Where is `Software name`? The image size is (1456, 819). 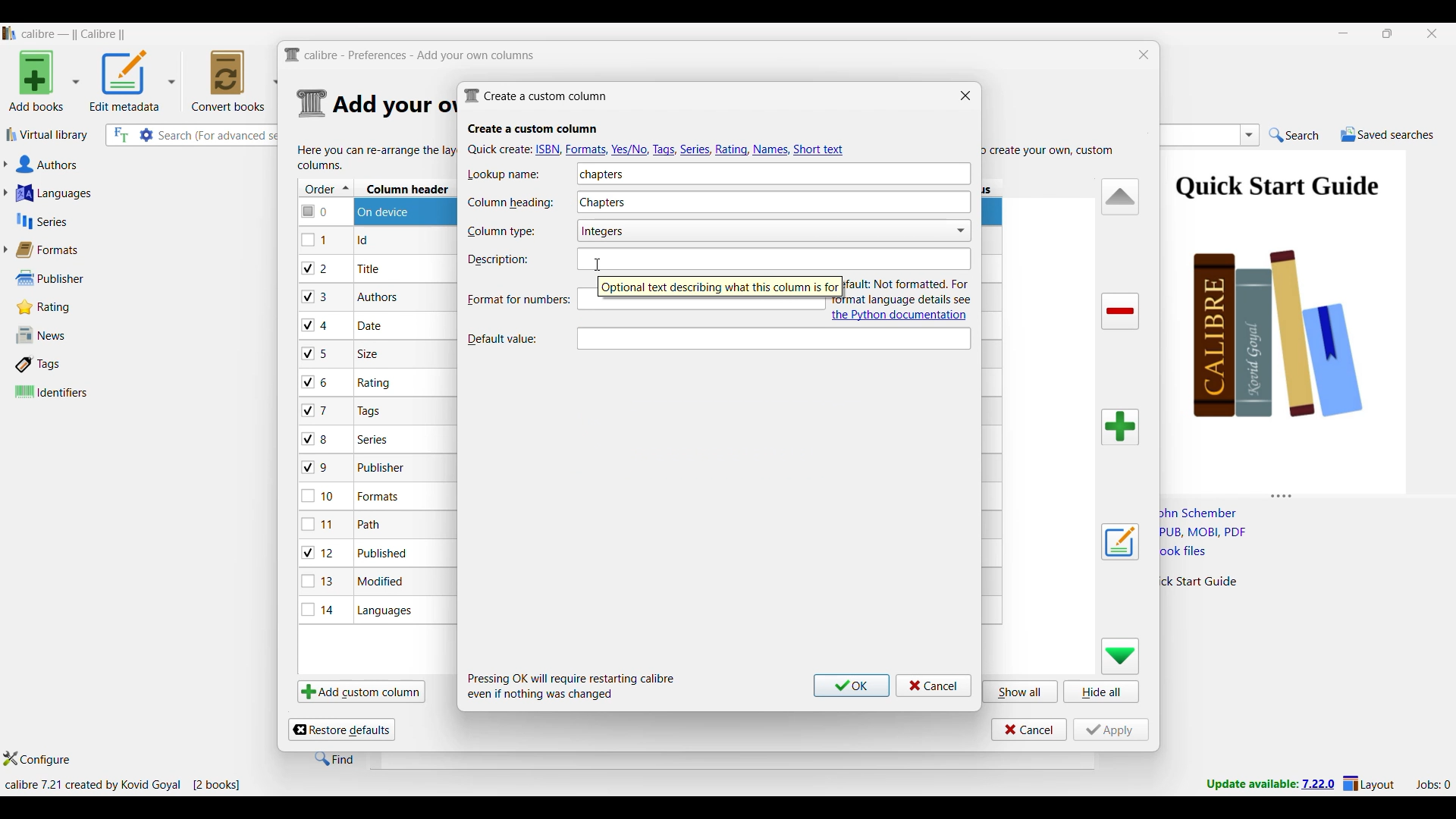
Software name is located at coordinates (74, 34).